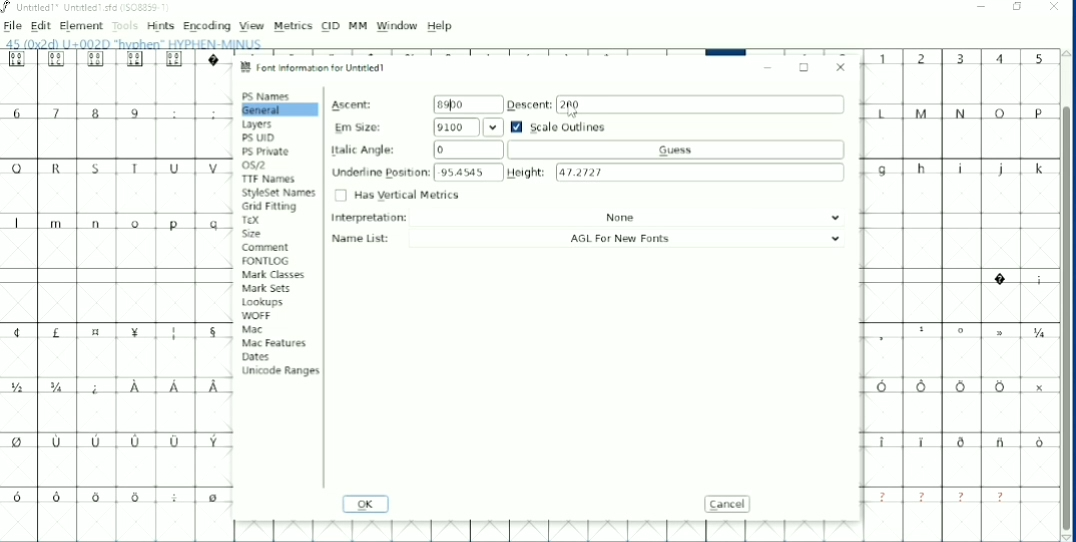 The height and width of the screenshot is (542, 1076). What do you see at coordinates (81, 26) in the screenshot?
I see `Element` at bounding box center [81, 26].